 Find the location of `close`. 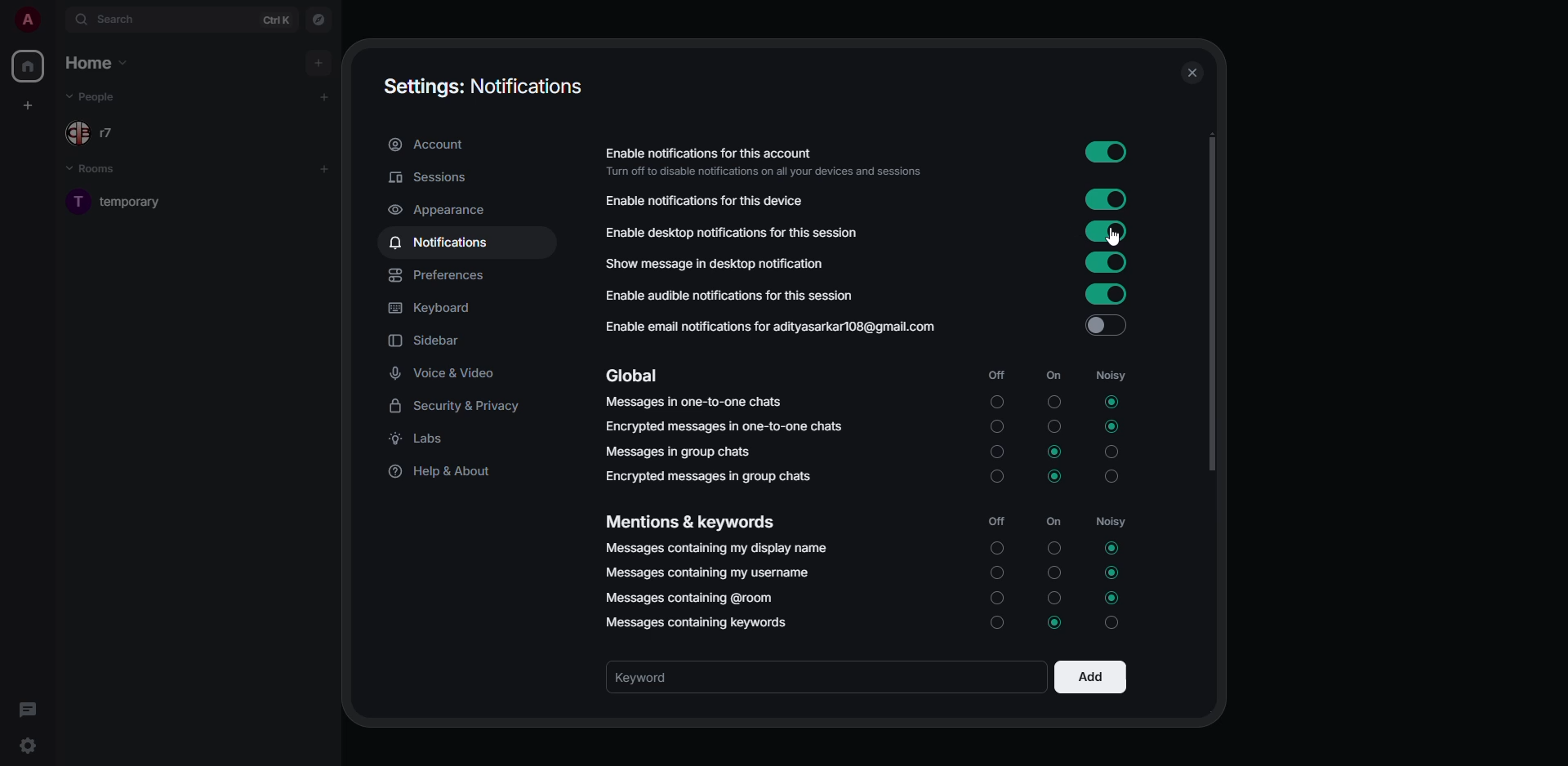

close is located at coordinates (1192, 72).